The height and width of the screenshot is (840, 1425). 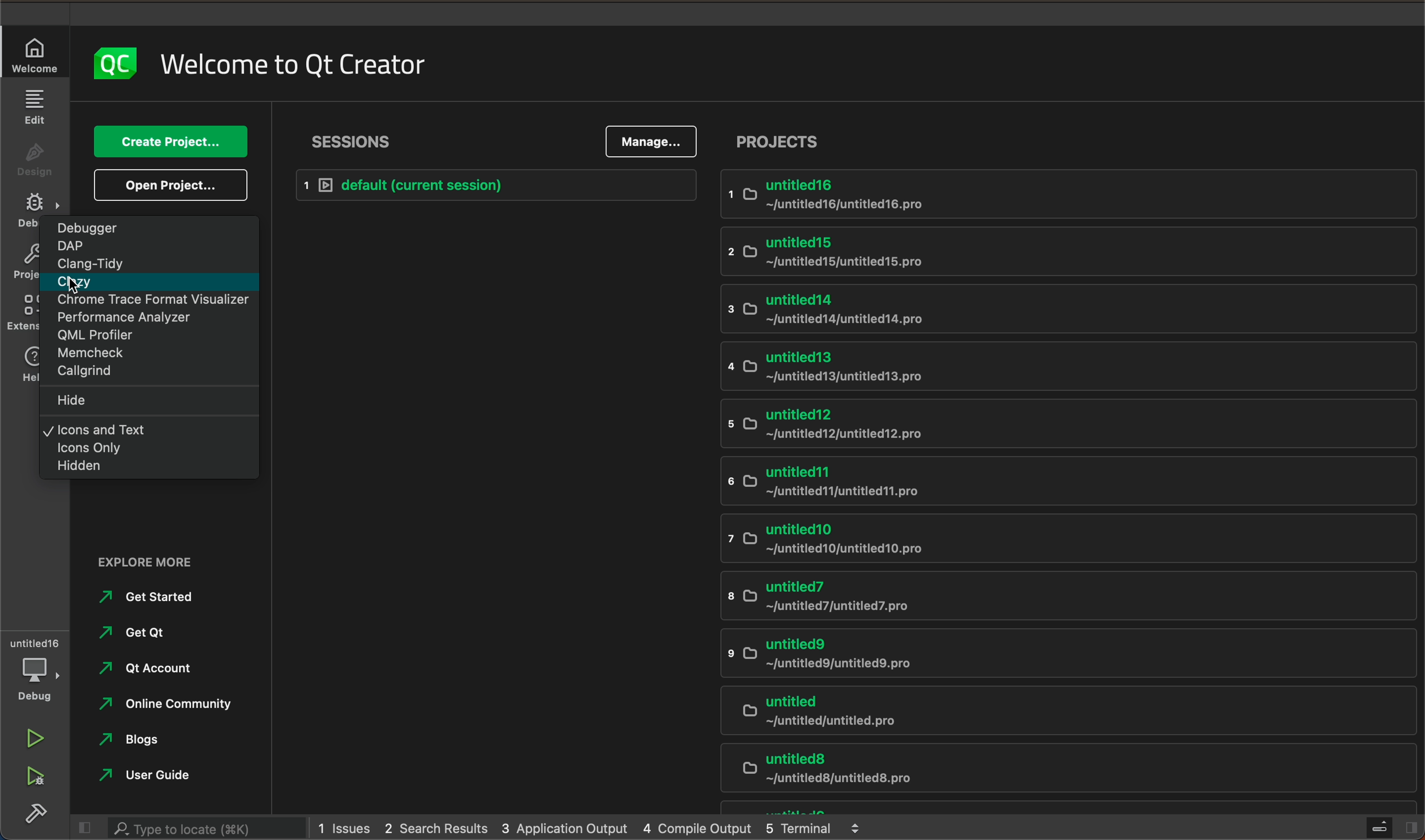 What do you see at coordinates (163, 775) in the screenshot?
I see `user guide` at bounding box center [163, 775].